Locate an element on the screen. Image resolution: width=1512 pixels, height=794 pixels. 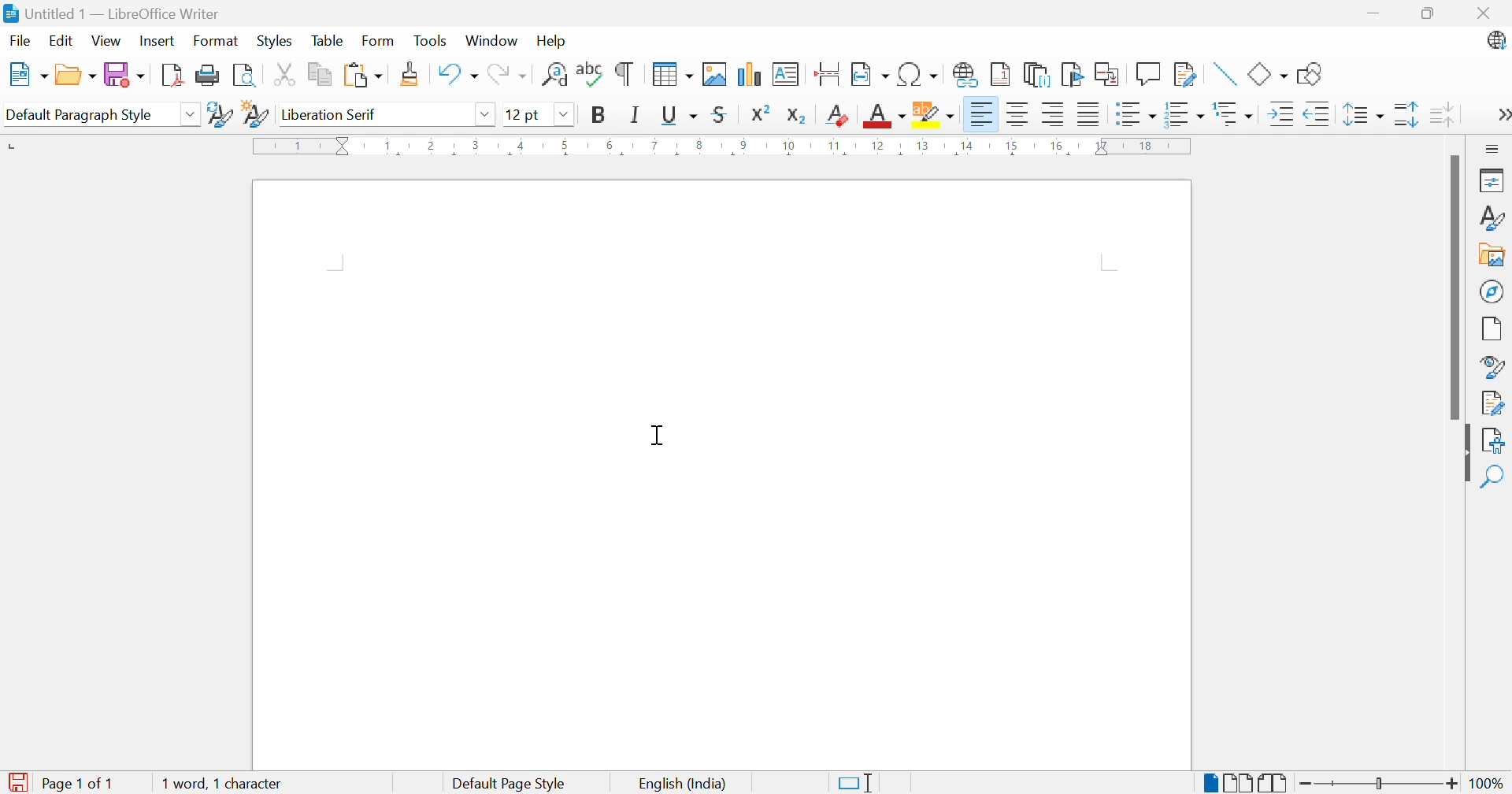
Untitled 1 - LibreOffice Writer is located at coordinates (110, 13).